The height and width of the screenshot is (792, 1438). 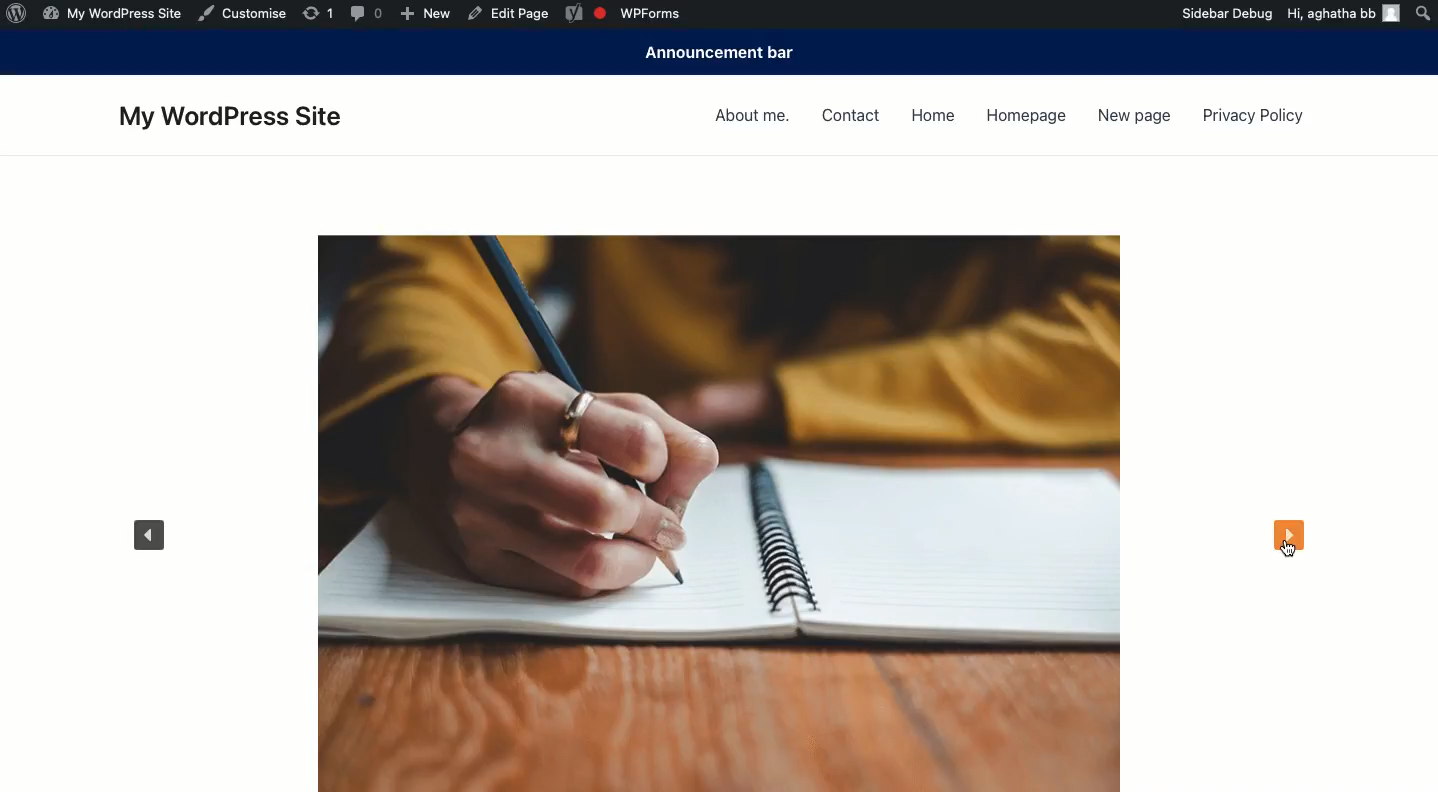 I want to click on Next, so click(x=1290, y=537).